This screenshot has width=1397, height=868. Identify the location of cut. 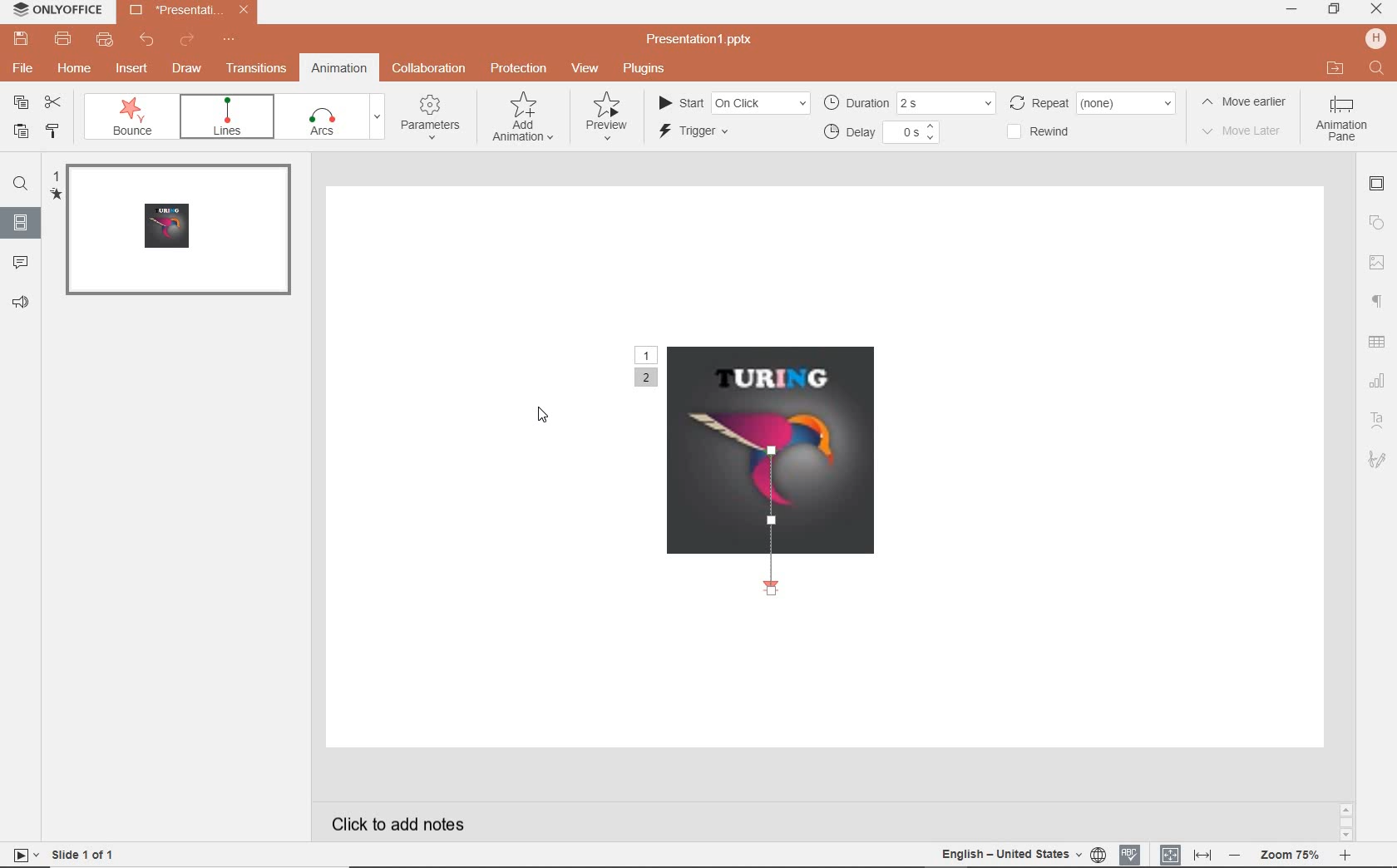
(53, 102).